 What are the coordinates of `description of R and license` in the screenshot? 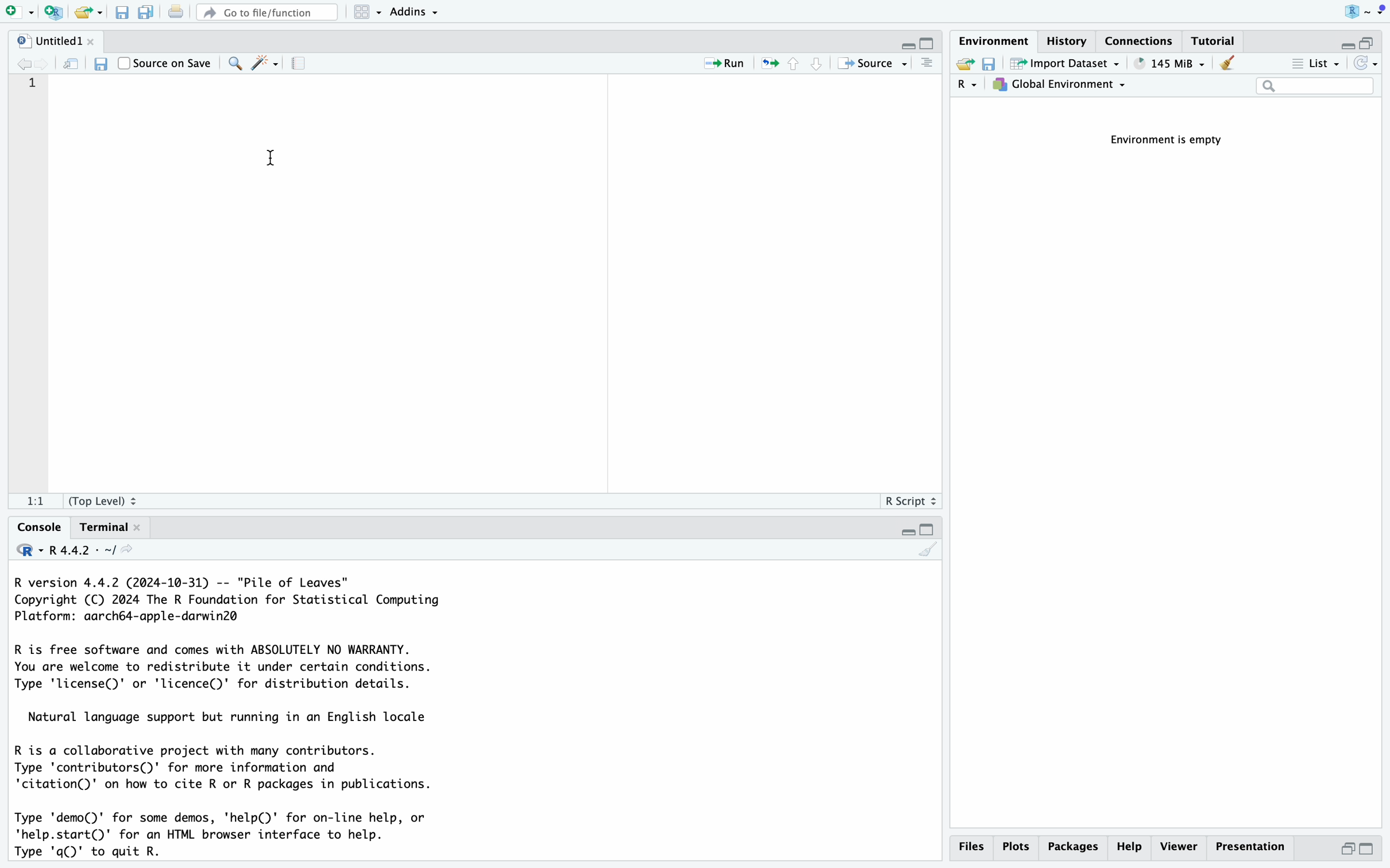 It's located at (224, 666).